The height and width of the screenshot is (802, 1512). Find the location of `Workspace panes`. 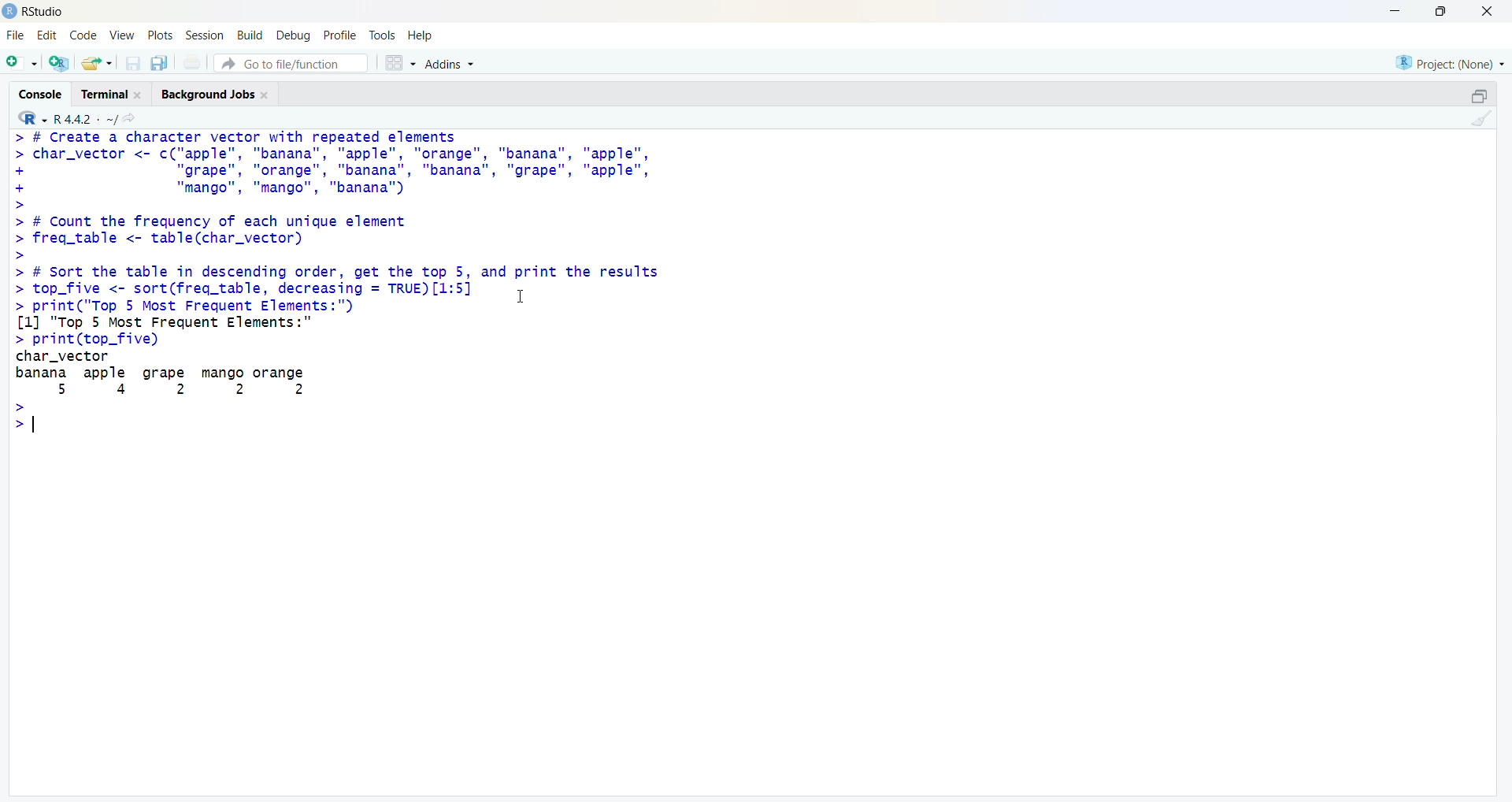

Workspace panes is located at coordinates (401, 64).